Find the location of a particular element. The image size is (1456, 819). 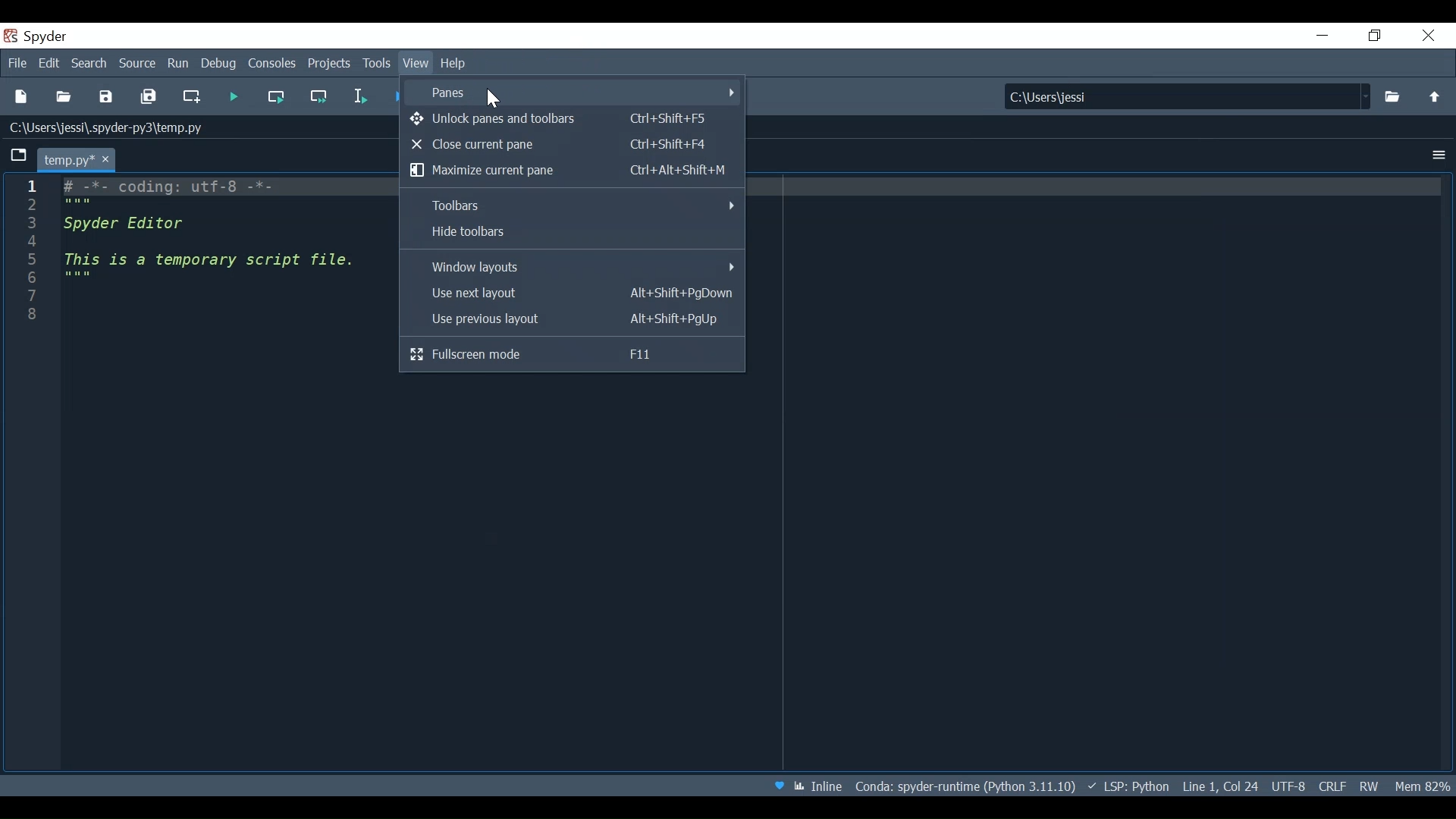

Save All current file is located at coordinates (148, 99).